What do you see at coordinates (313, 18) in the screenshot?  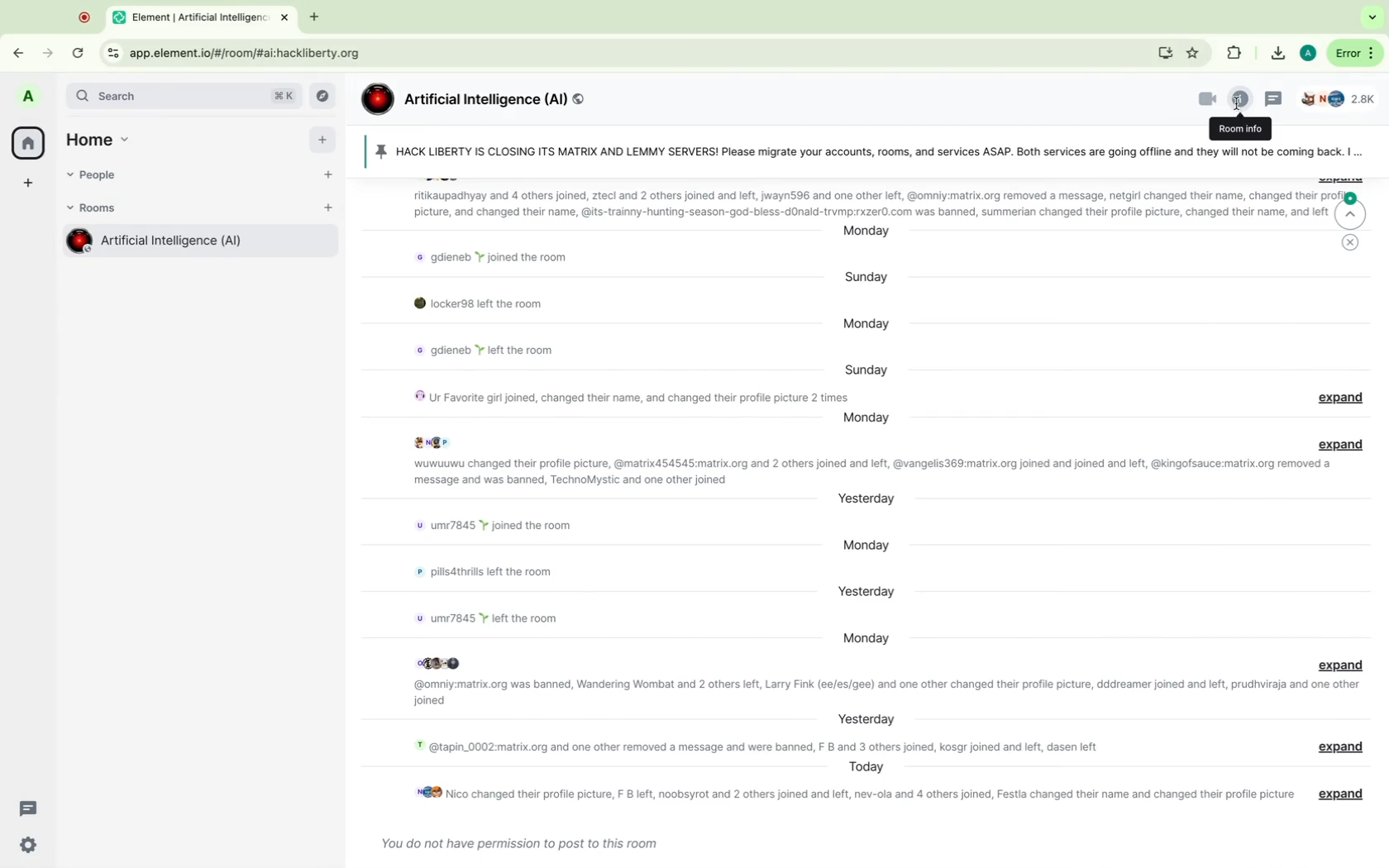 I see `new tab` at bounding box center [313, 18].